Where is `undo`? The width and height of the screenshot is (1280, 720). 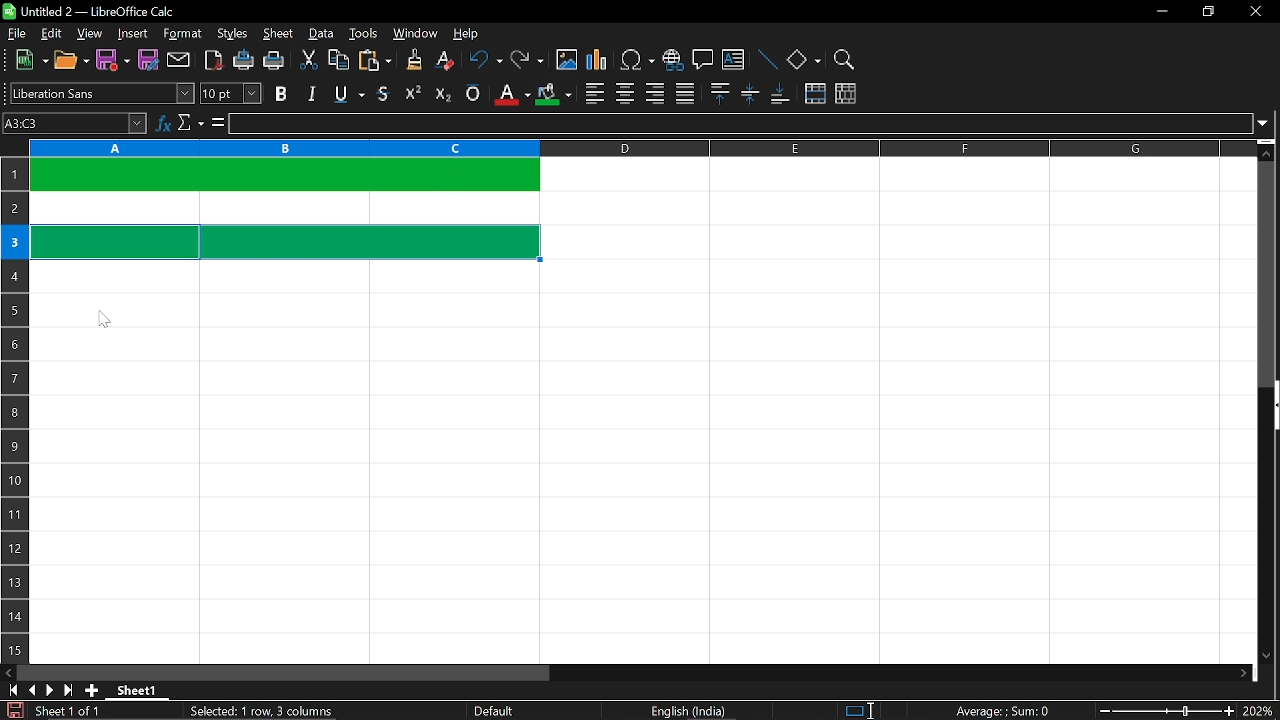
undo is located at coordinates (484, 61).